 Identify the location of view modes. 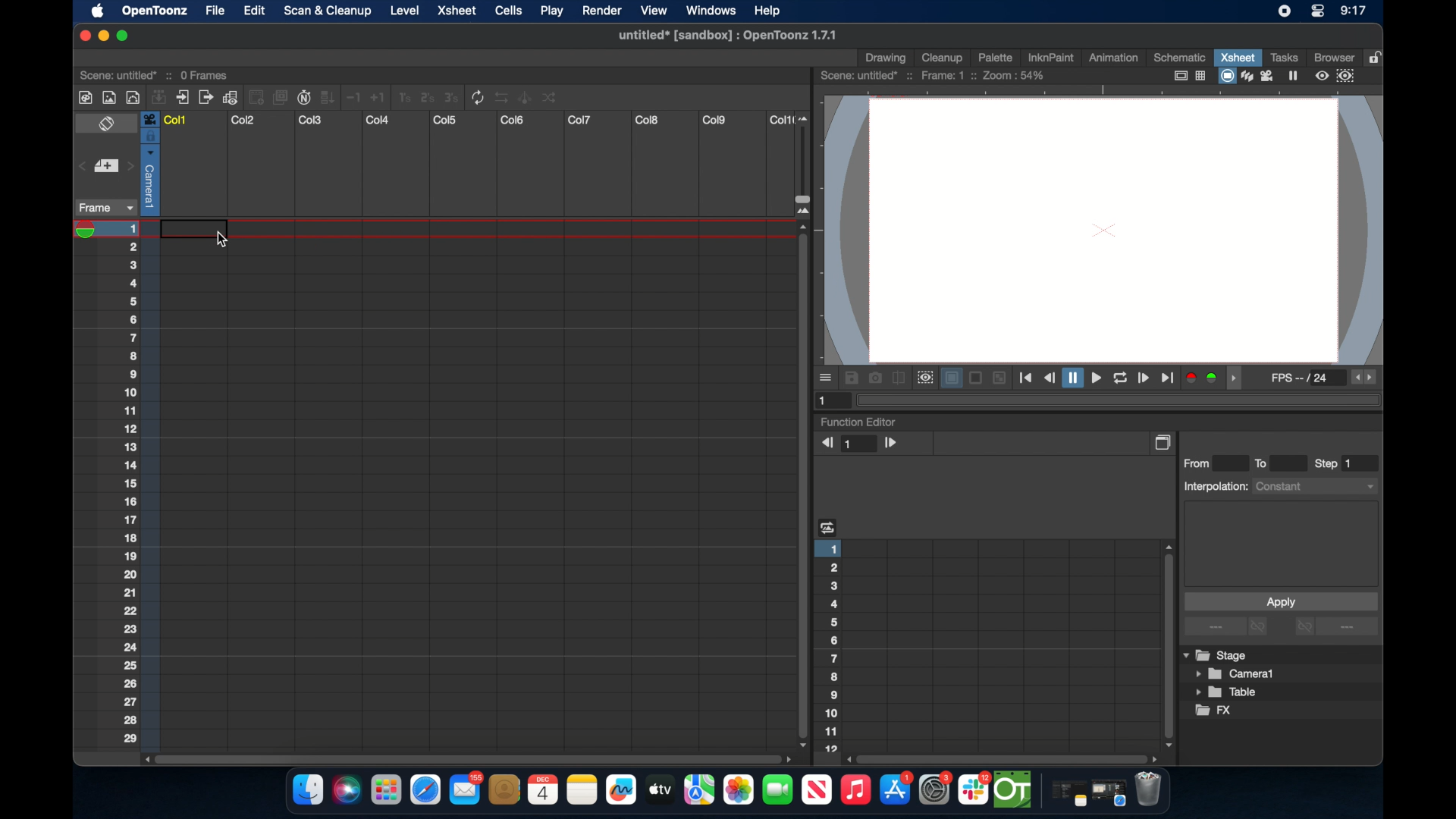
(1260, 76).